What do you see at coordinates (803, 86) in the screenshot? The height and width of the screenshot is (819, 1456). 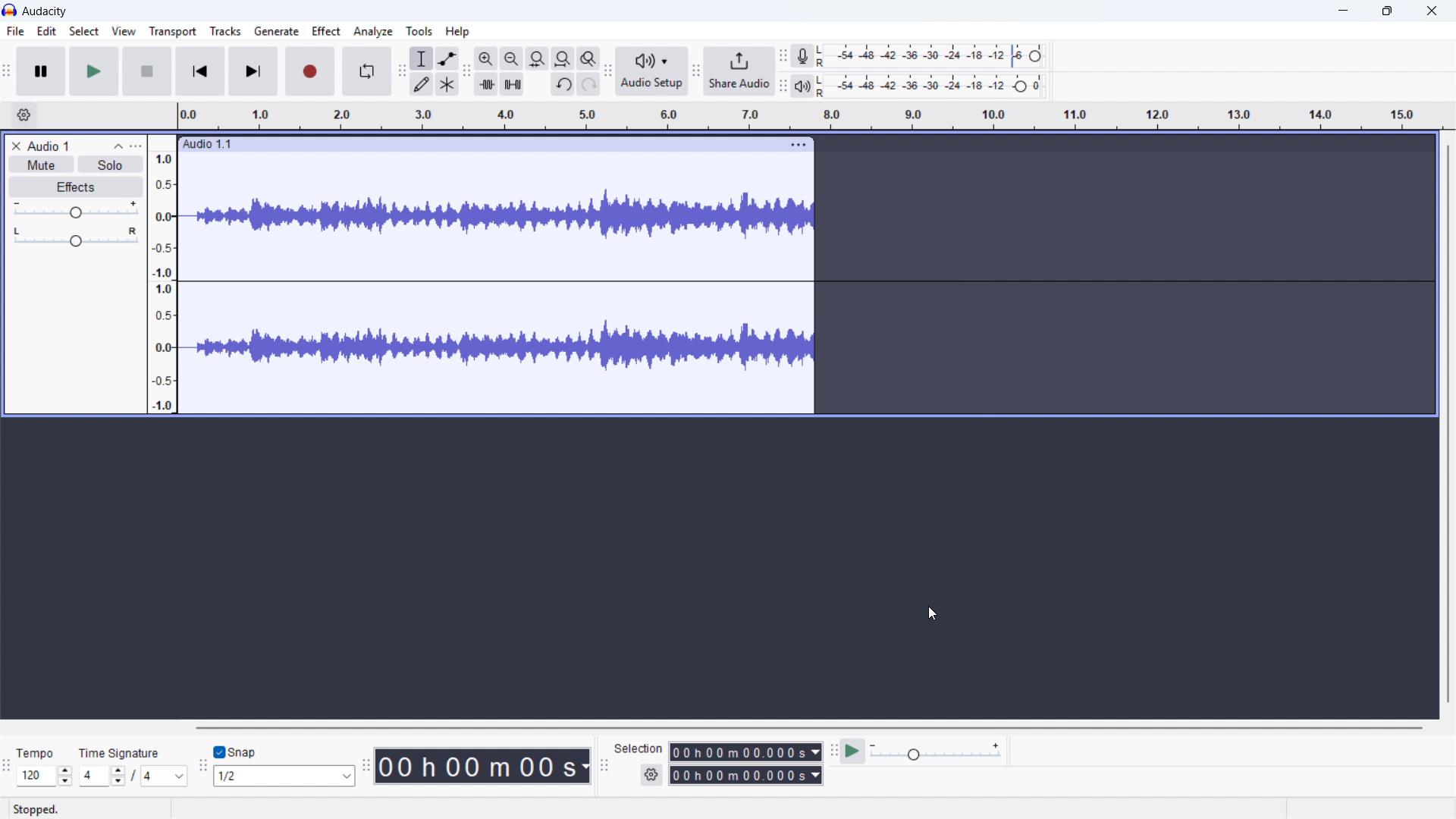 I see `Playback metre ` at bounding box center [803, 86].